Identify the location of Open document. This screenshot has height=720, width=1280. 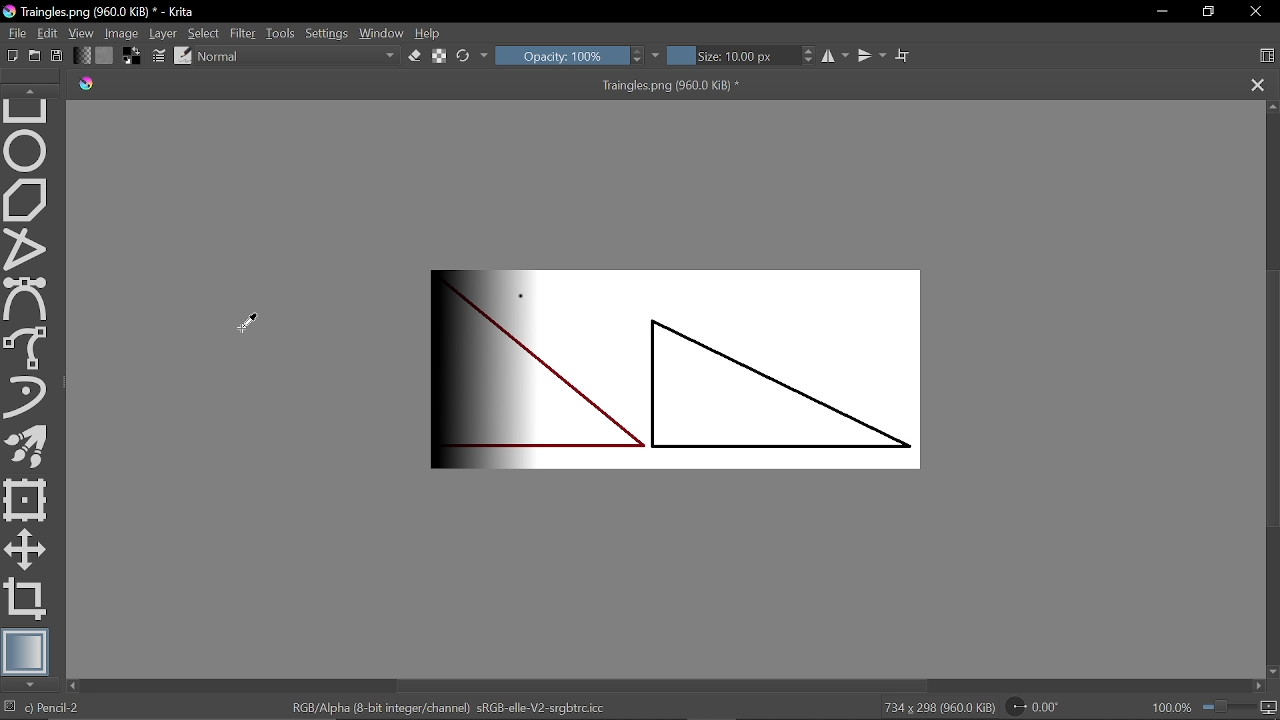
(37, 55).